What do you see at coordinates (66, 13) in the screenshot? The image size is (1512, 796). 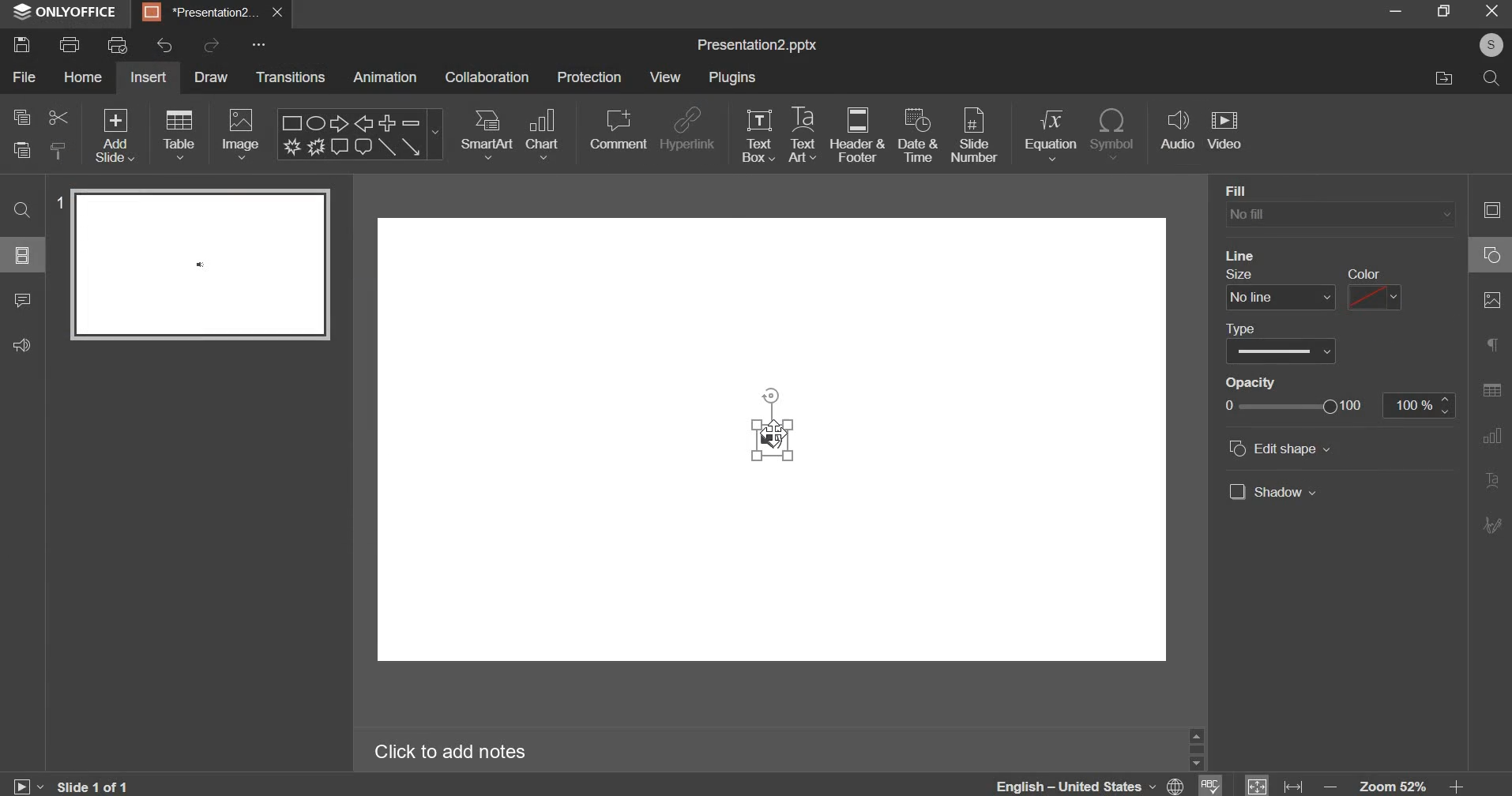 I see `onlyoffice` at bounding box center [66, 13].